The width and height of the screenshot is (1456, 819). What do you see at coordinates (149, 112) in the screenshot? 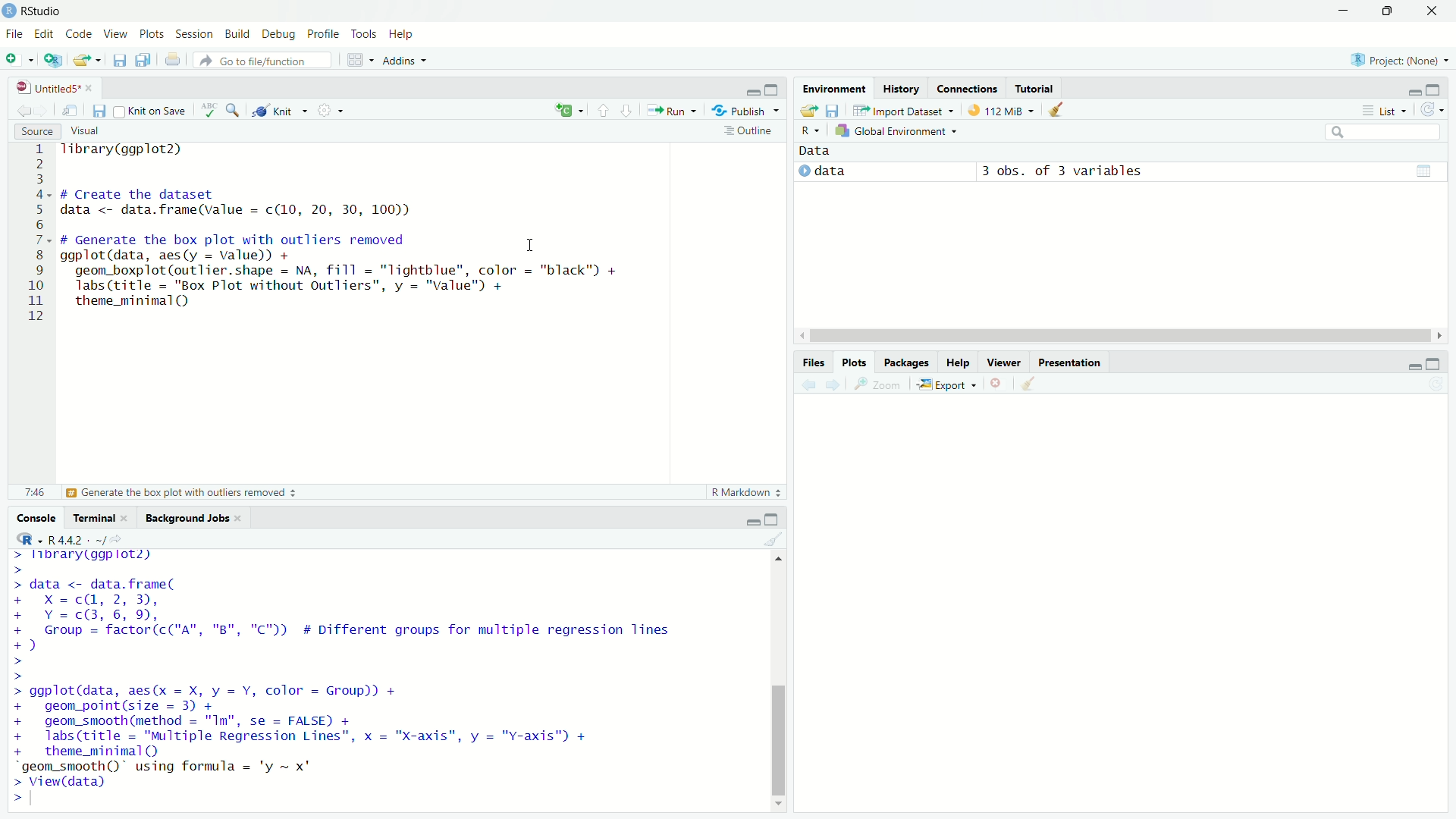
I see `Knit on Save` at bounding box center [149, 112].